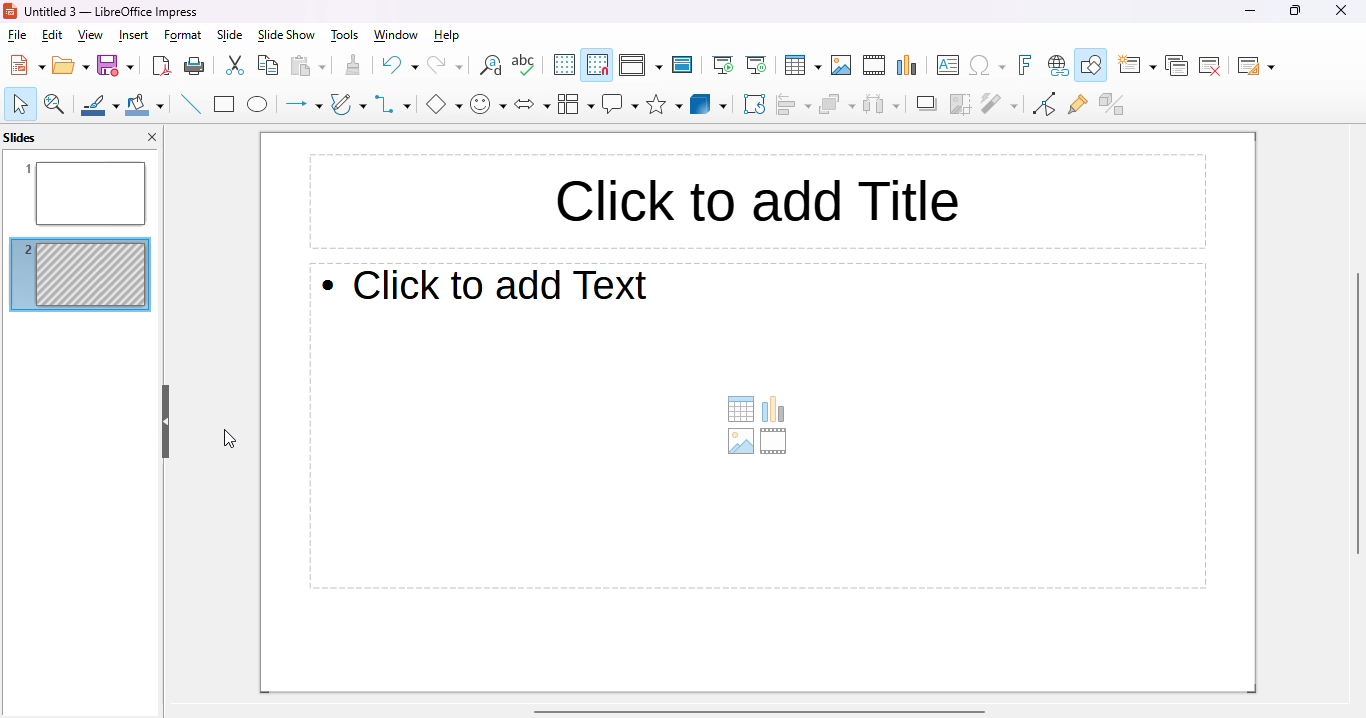  What do you see at coordinates (1296, 11) in the screenshot?
I see `maximize` at bounding box center [1296, 11].